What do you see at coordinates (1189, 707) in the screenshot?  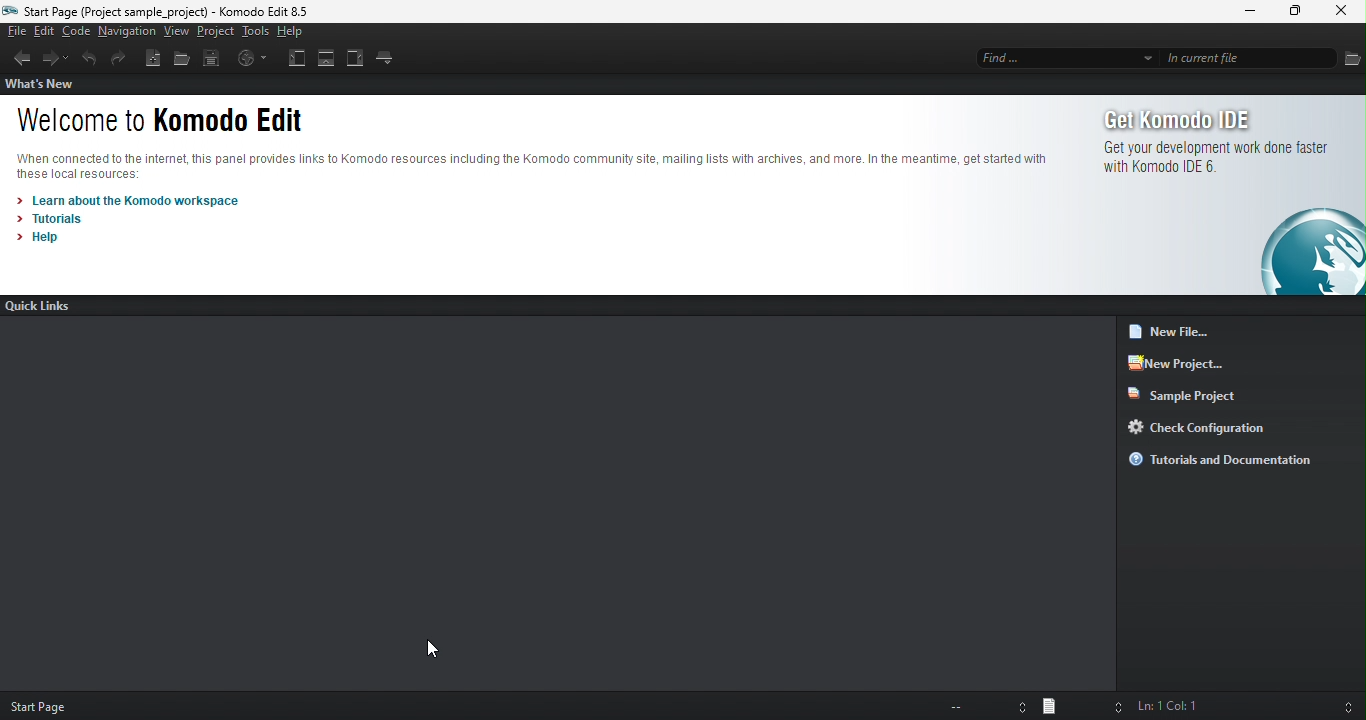 I see `ln 1, col 1` at bounding box center [1189, 707].